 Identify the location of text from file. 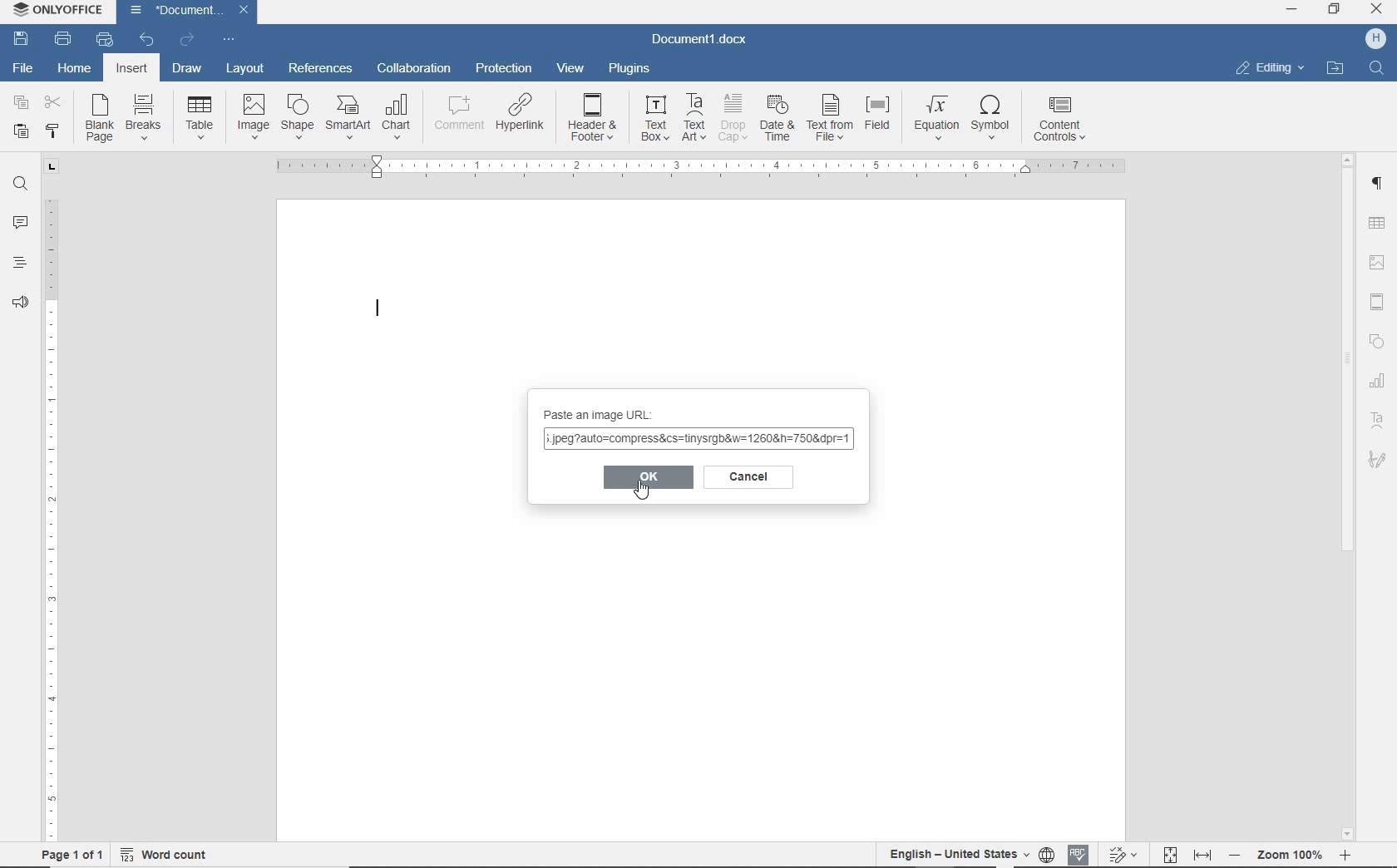
(831, 117).